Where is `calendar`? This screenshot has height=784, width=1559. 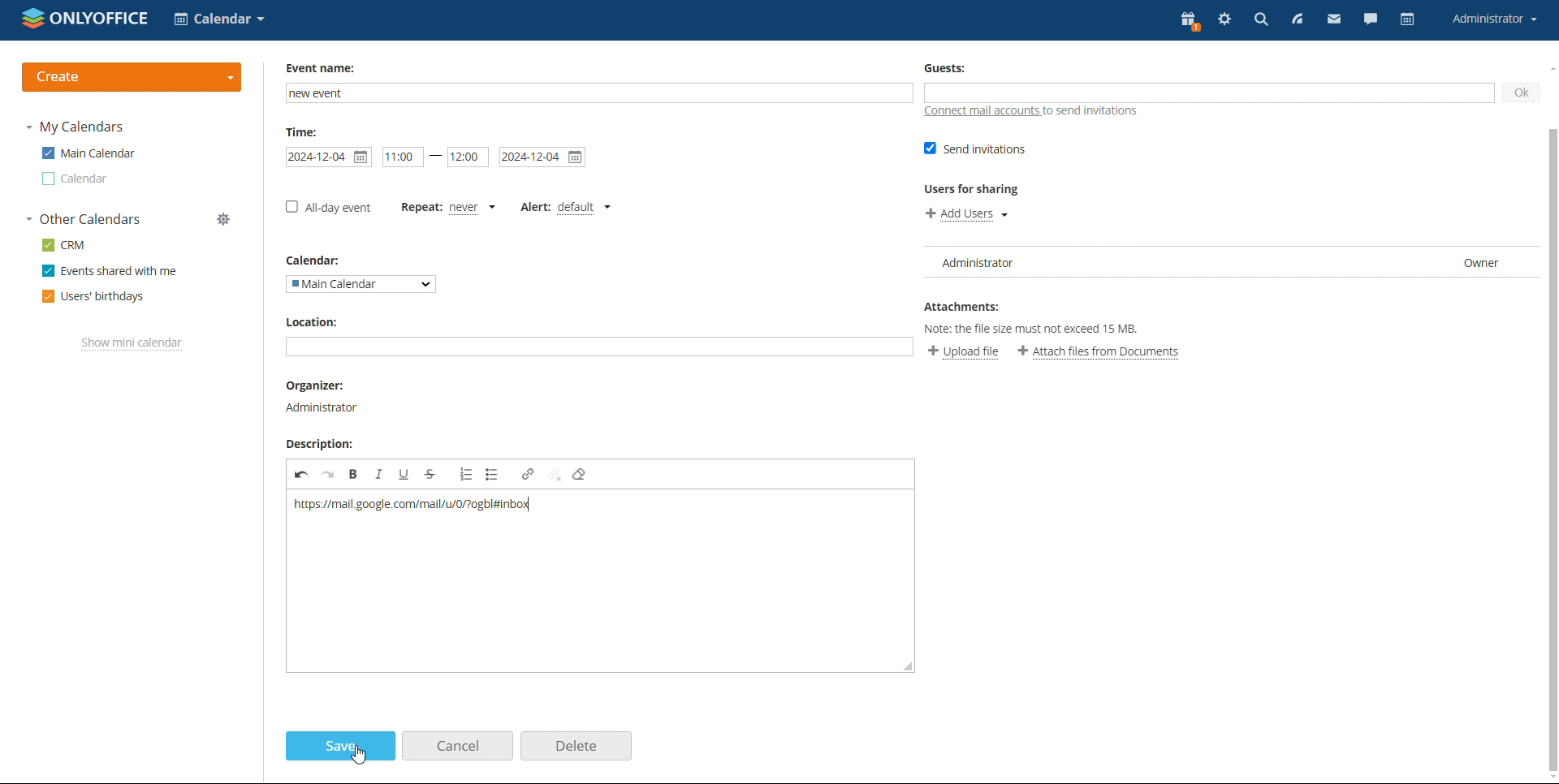
calendar is located at coordinates (1406, 20).